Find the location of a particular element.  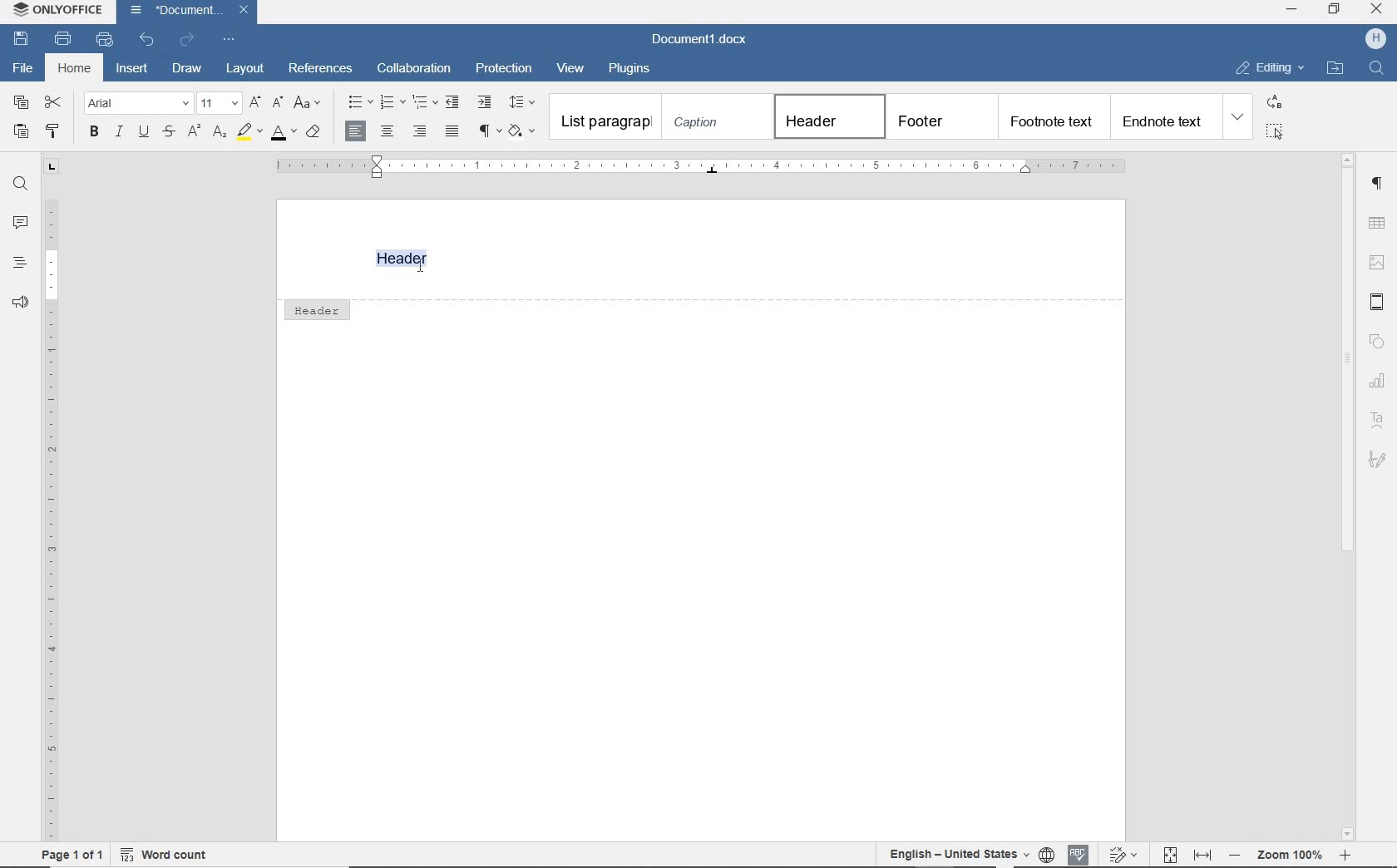

superscript is located at coordinates (192, 131).